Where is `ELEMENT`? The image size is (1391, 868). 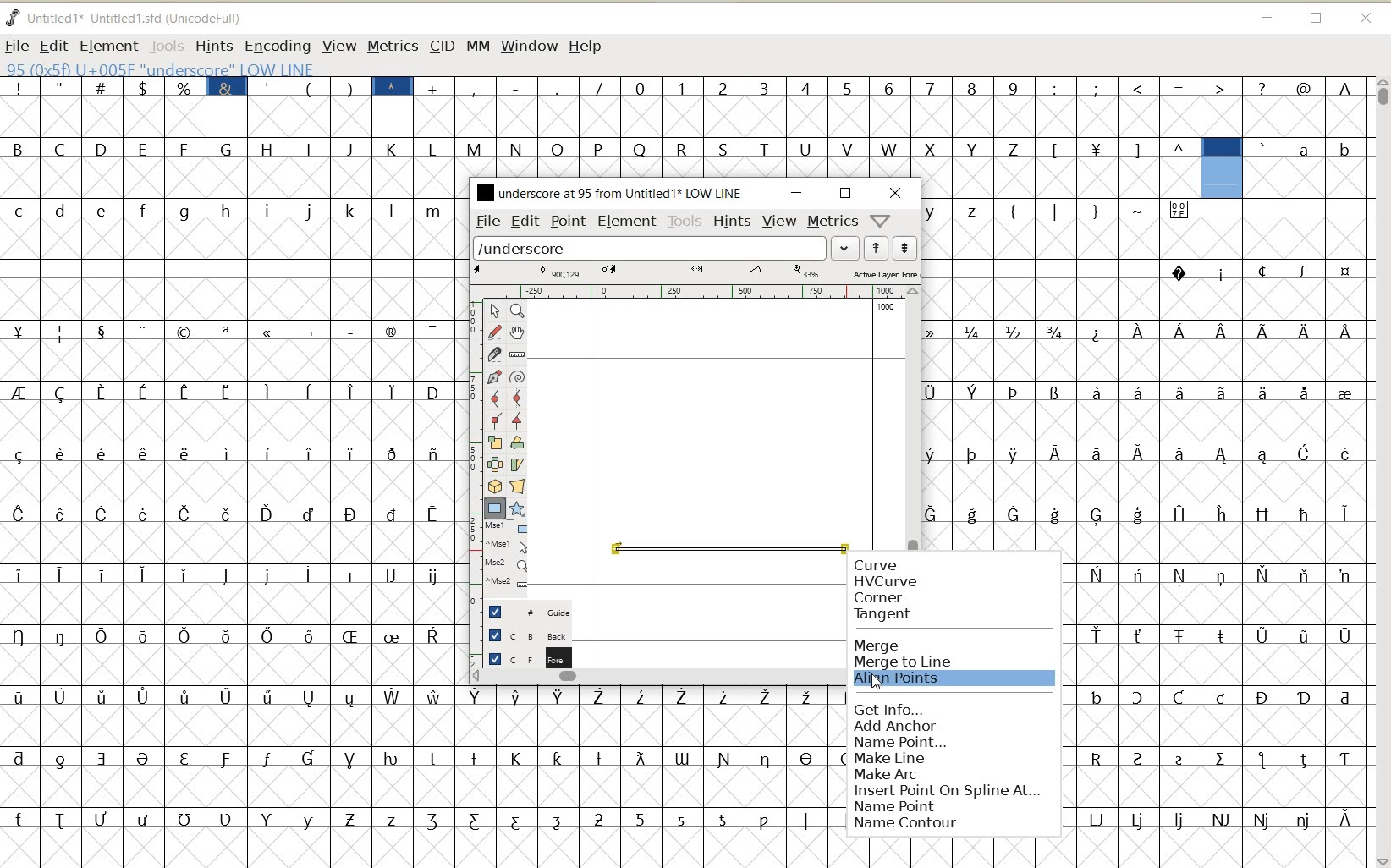
ELEMENT is located at coordinates (627, 222).